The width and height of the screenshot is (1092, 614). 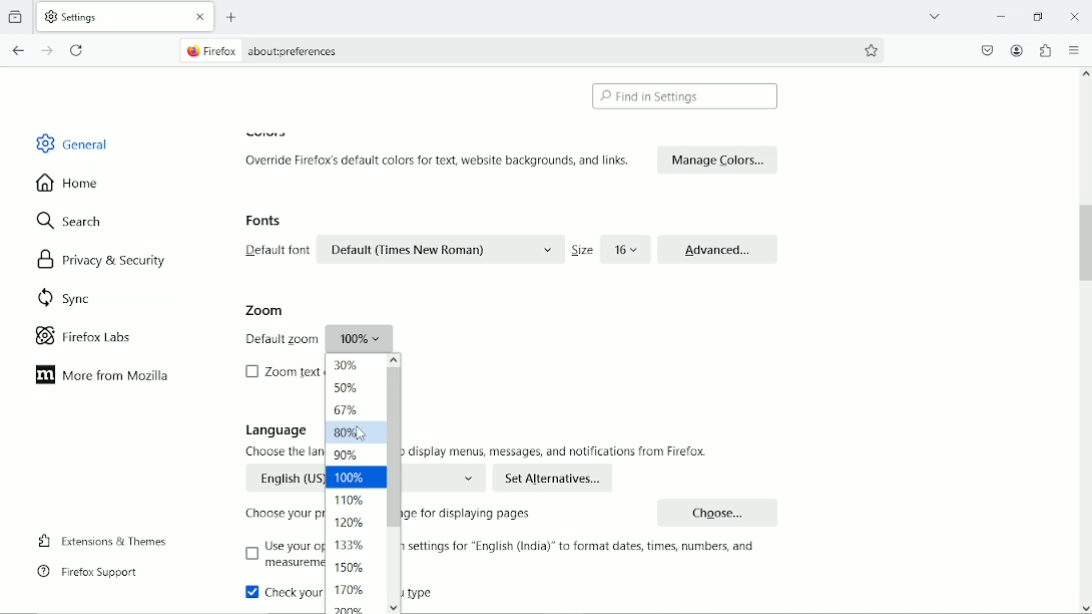 What do you see at coordinates (936, 16) in the screenshot?
I see `list all tabs` at bounding box center [936, 16].